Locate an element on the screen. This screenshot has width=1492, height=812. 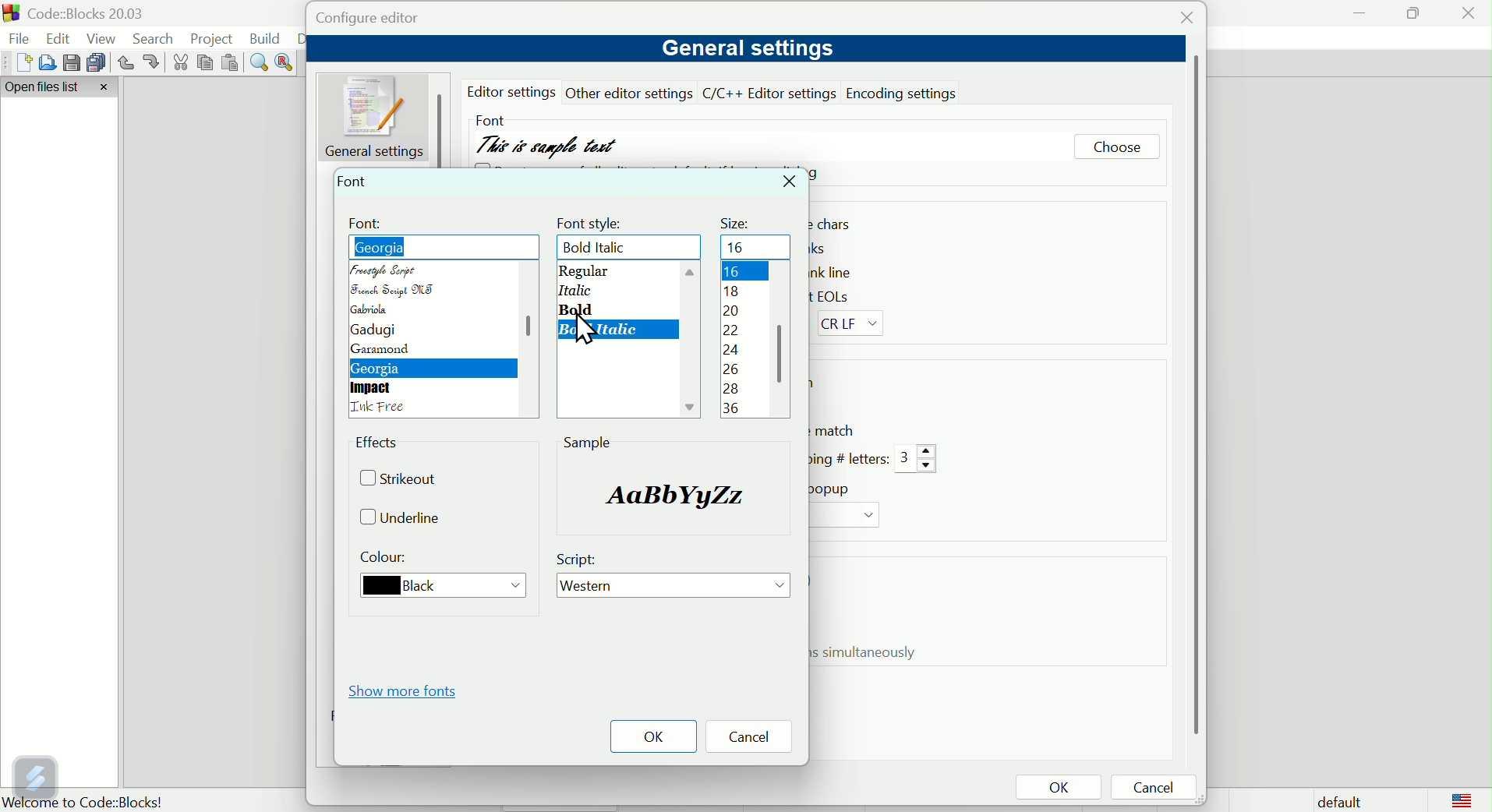
redo is located at coordinates (153, 62).